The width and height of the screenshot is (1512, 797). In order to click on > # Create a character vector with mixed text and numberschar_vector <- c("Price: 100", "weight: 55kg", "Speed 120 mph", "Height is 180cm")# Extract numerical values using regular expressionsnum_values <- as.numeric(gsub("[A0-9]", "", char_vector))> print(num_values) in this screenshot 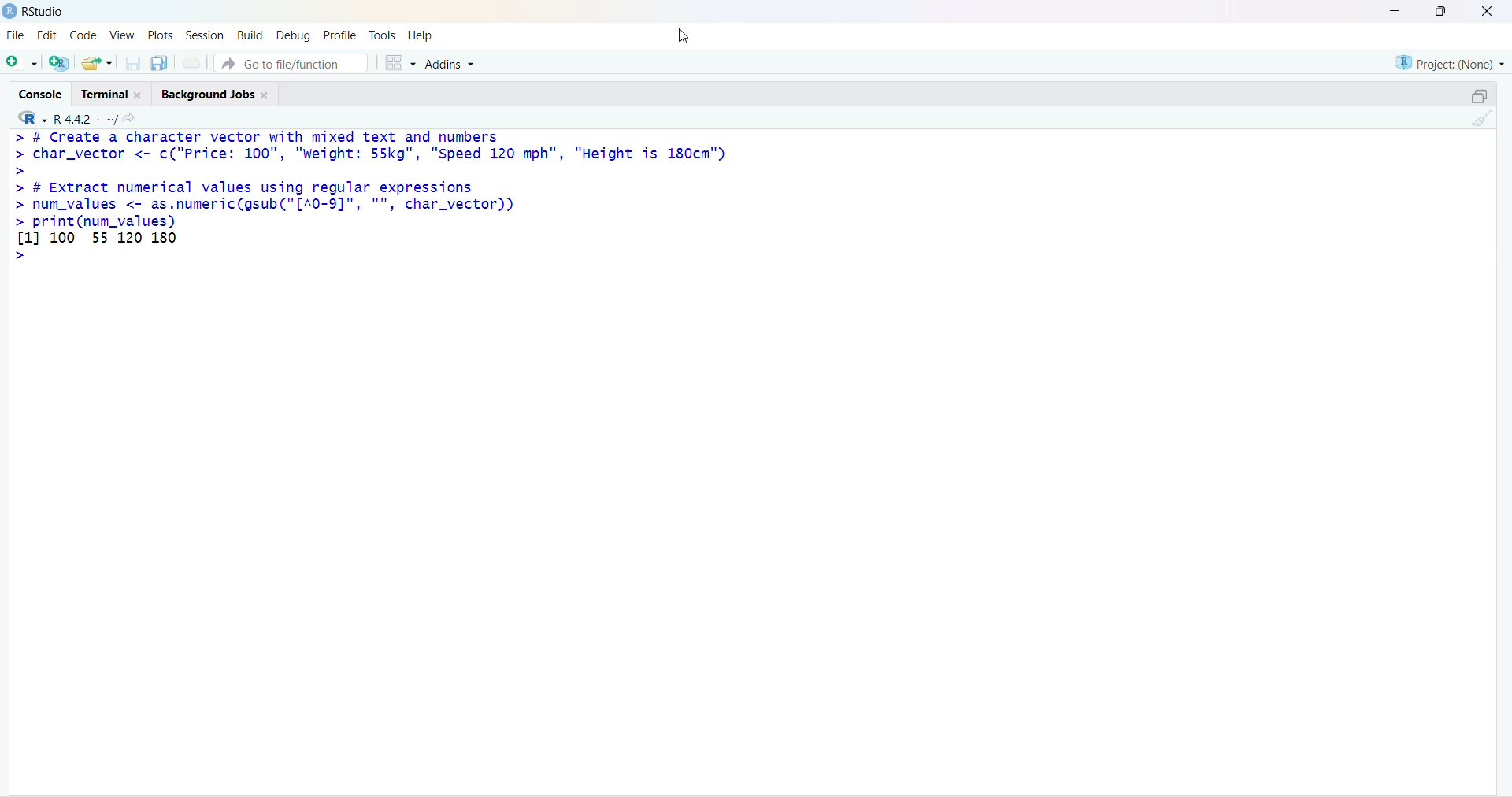, I will do `click(372, 180)`.